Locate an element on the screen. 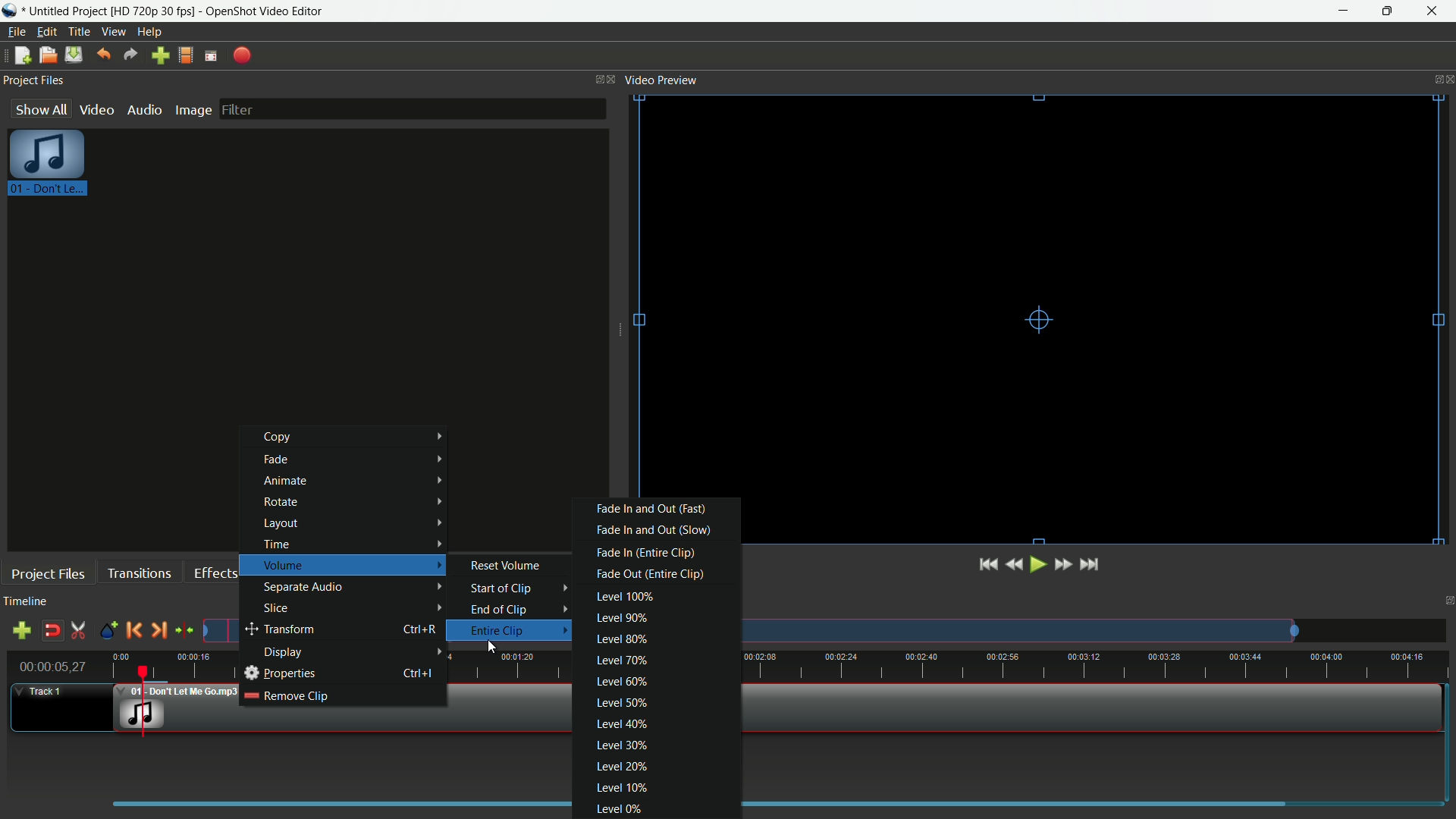 The width and height of the screenshot is (1456, 819). fade in and out (slow) is located at coordinates (653, 529).